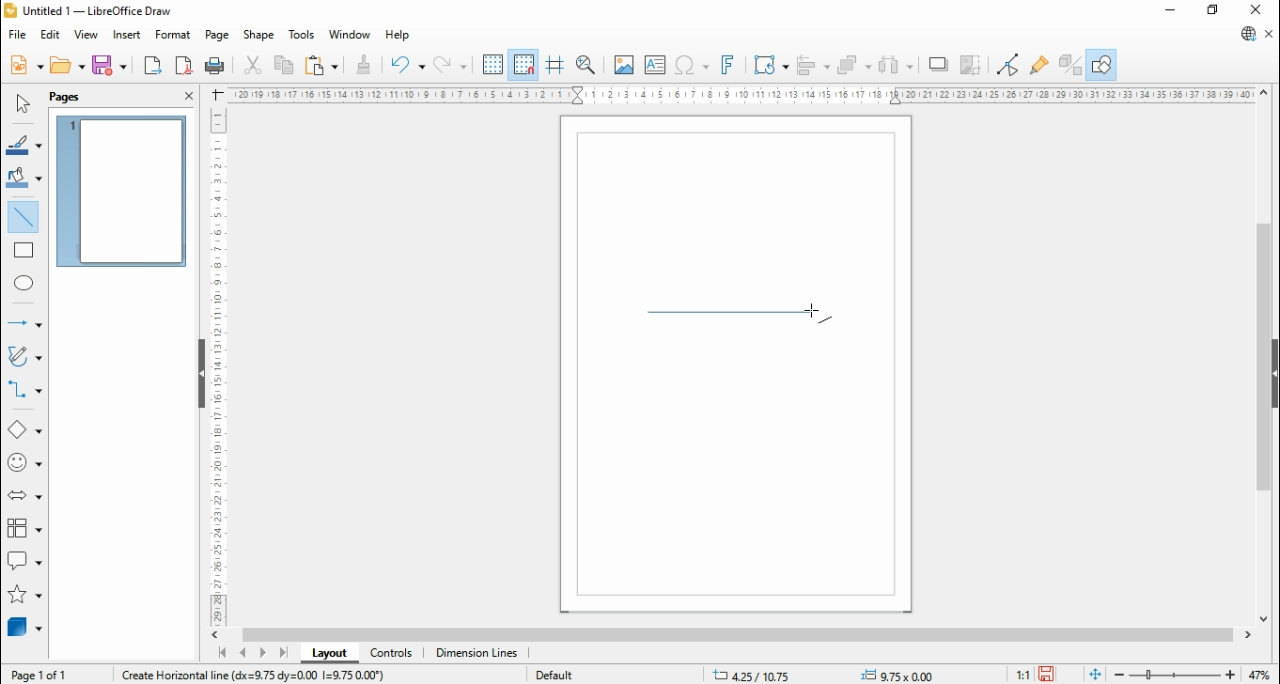 The height and width of the screenshot is (684, 1280). What do you see at coordinates (285, 65) in the screenshot?
I see `copy` at bounding box center [285, 65].